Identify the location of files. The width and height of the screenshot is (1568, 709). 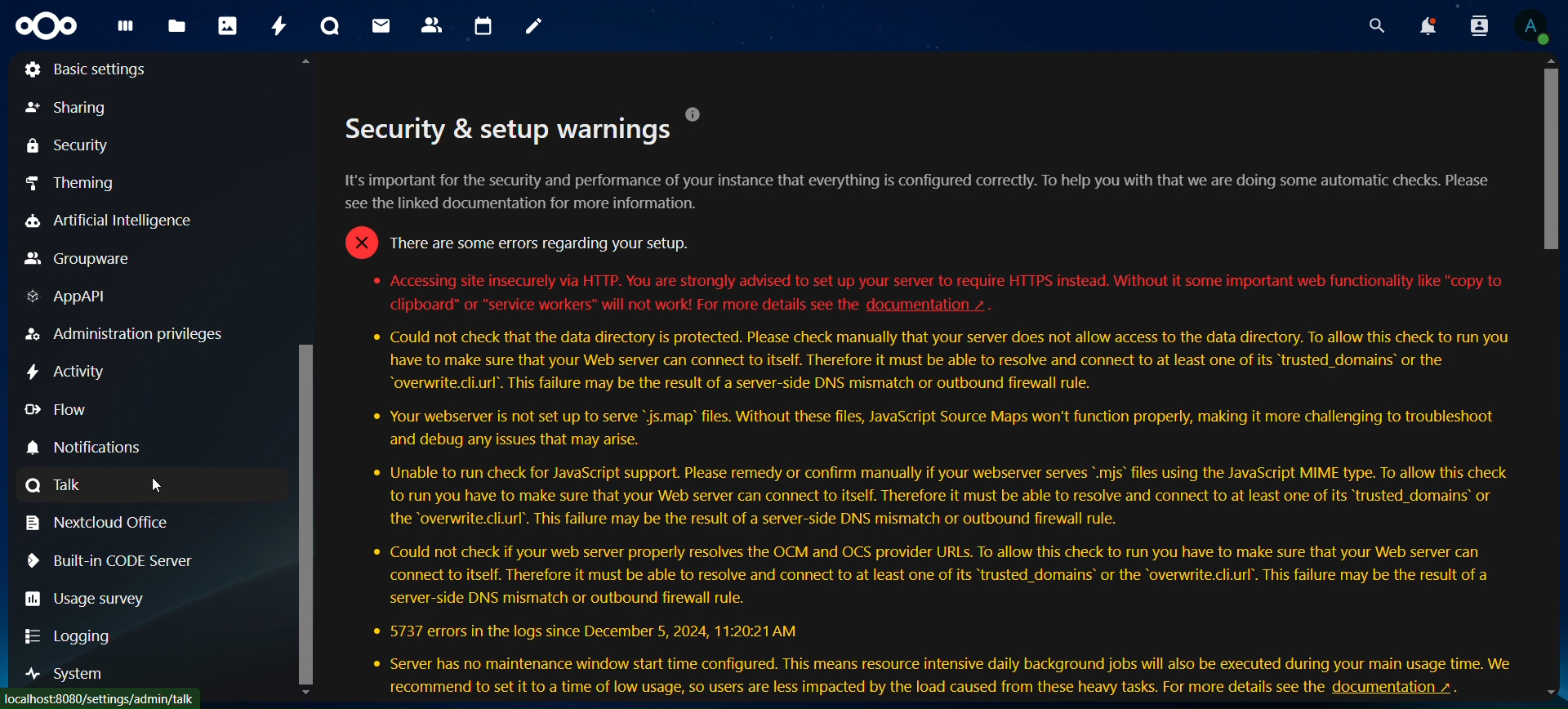
(129, 32).